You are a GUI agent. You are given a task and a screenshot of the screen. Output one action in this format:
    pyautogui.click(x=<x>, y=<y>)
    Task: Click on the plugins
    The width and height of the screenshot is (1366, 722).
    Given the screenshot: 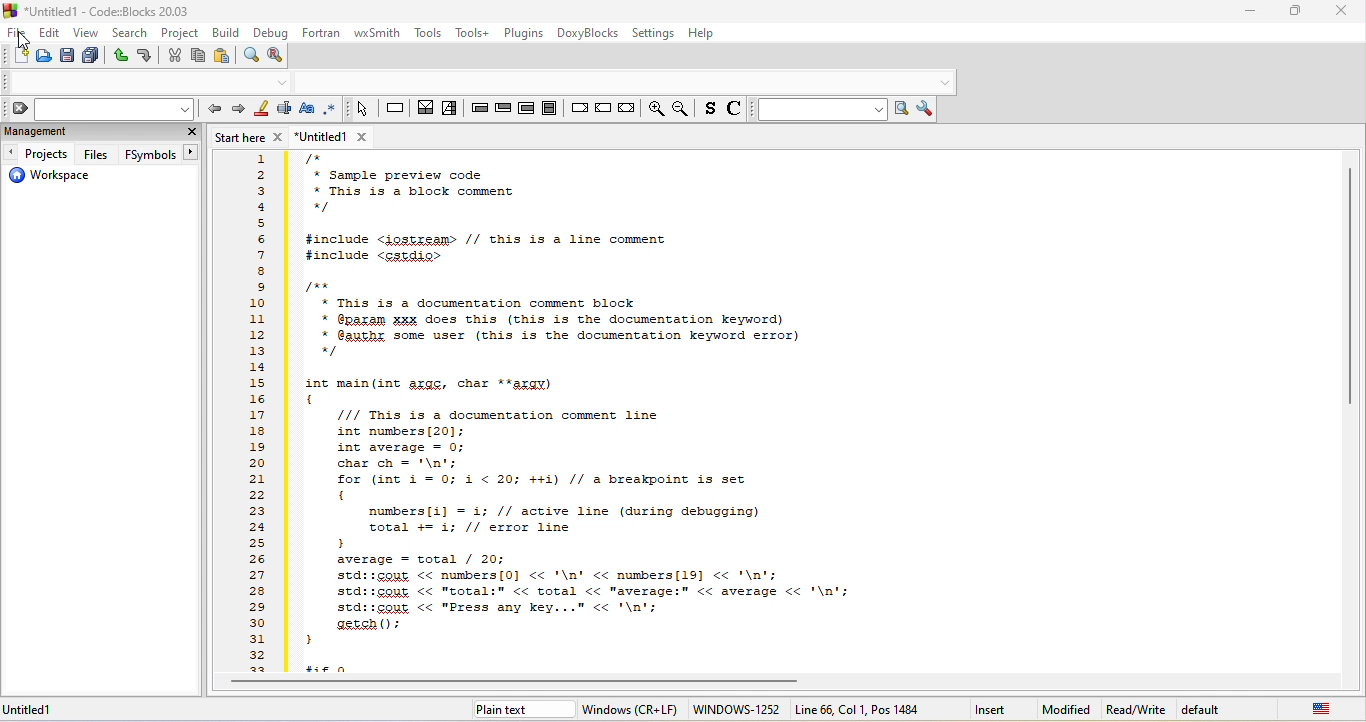 What is the action you would take?
    pyautogui.click(x=525, y=33)
    